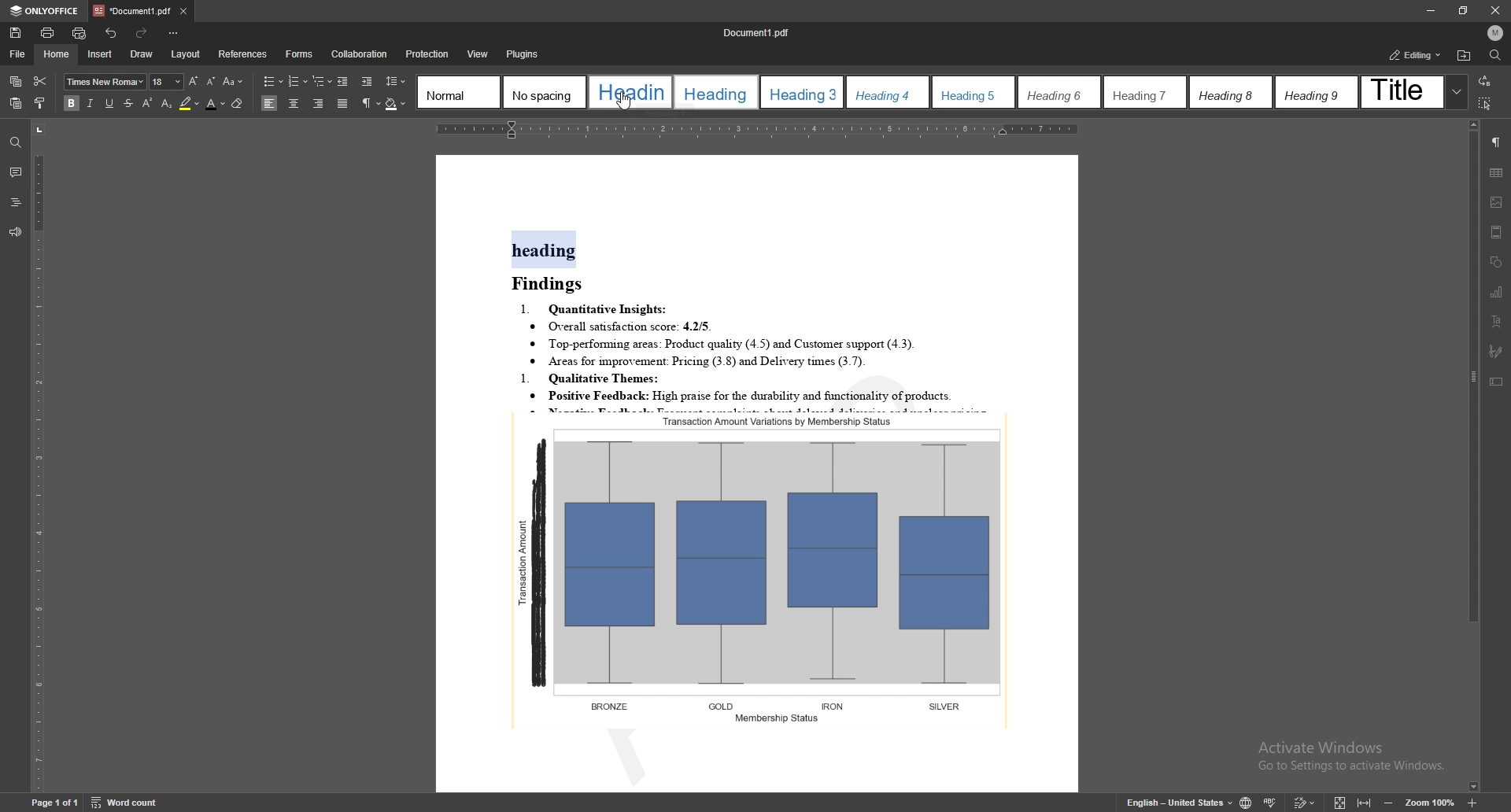  I want to click on Collaboration, so click(360, 54).